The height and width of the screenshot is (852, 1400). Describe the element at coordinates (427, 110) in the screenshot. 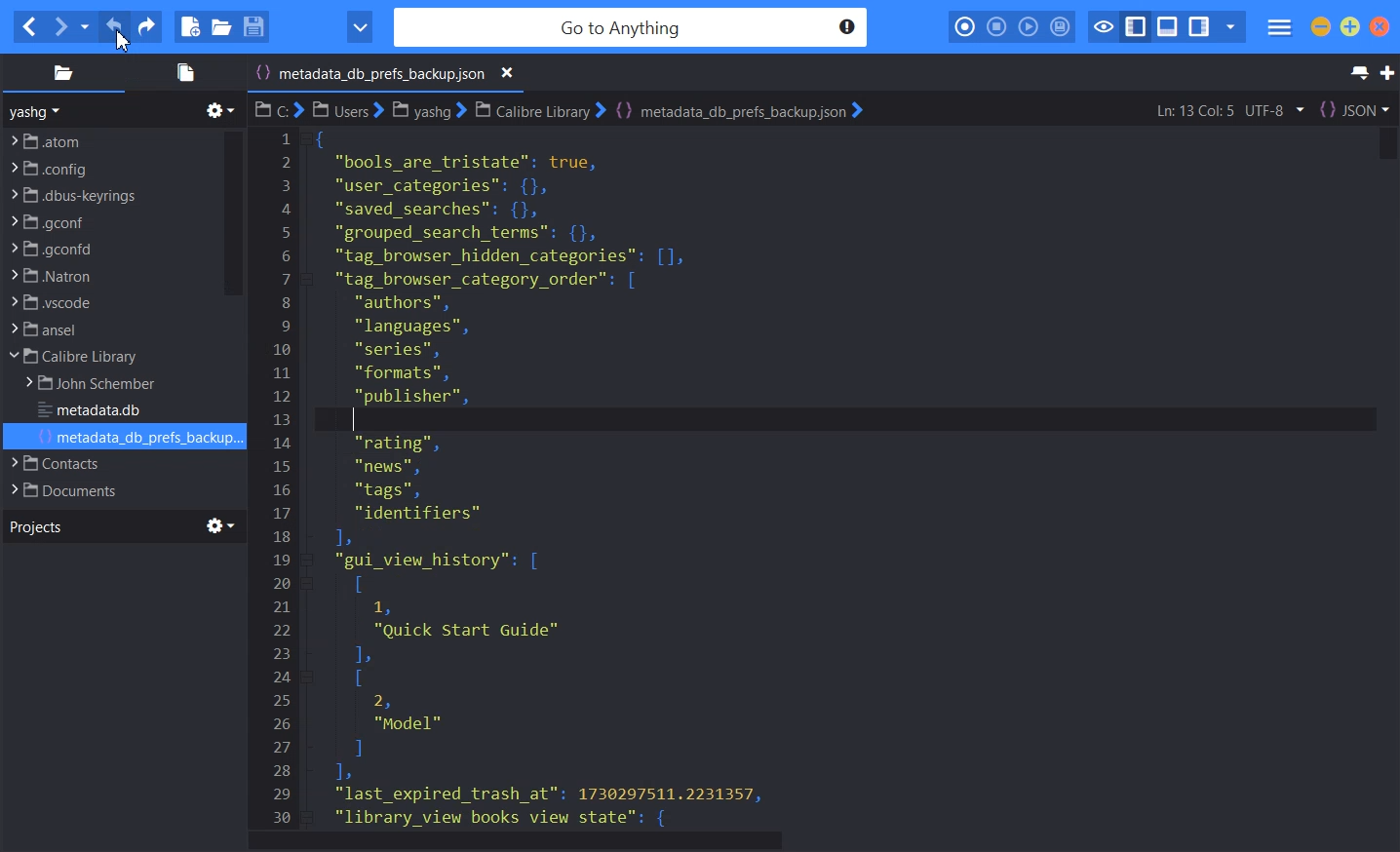

I see `yashg File` at that location.